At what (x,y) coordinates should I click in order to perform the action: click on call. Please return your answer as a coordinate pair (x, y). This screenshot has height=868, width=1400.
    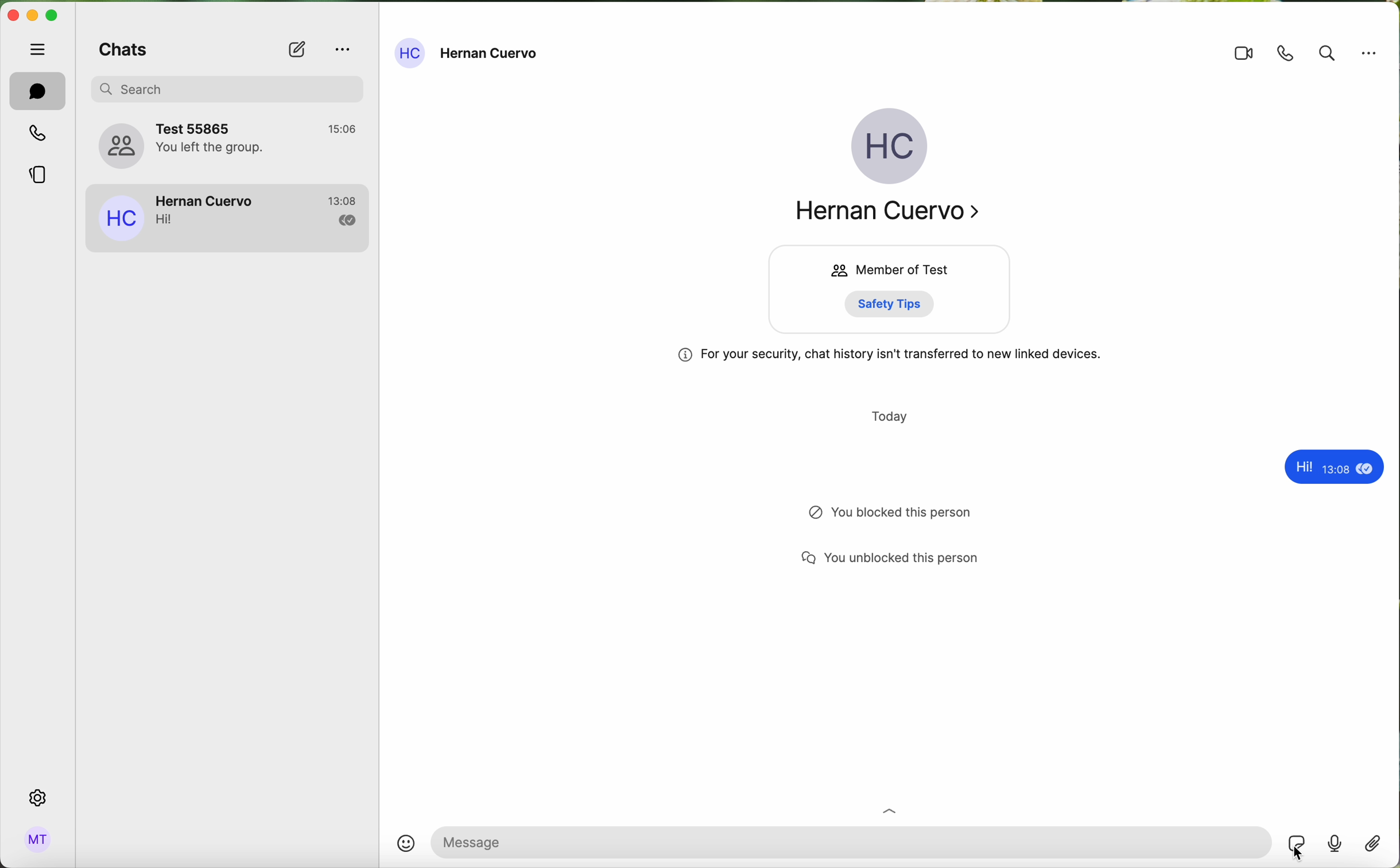
    Looking at the image, I should click on (1287, 53).